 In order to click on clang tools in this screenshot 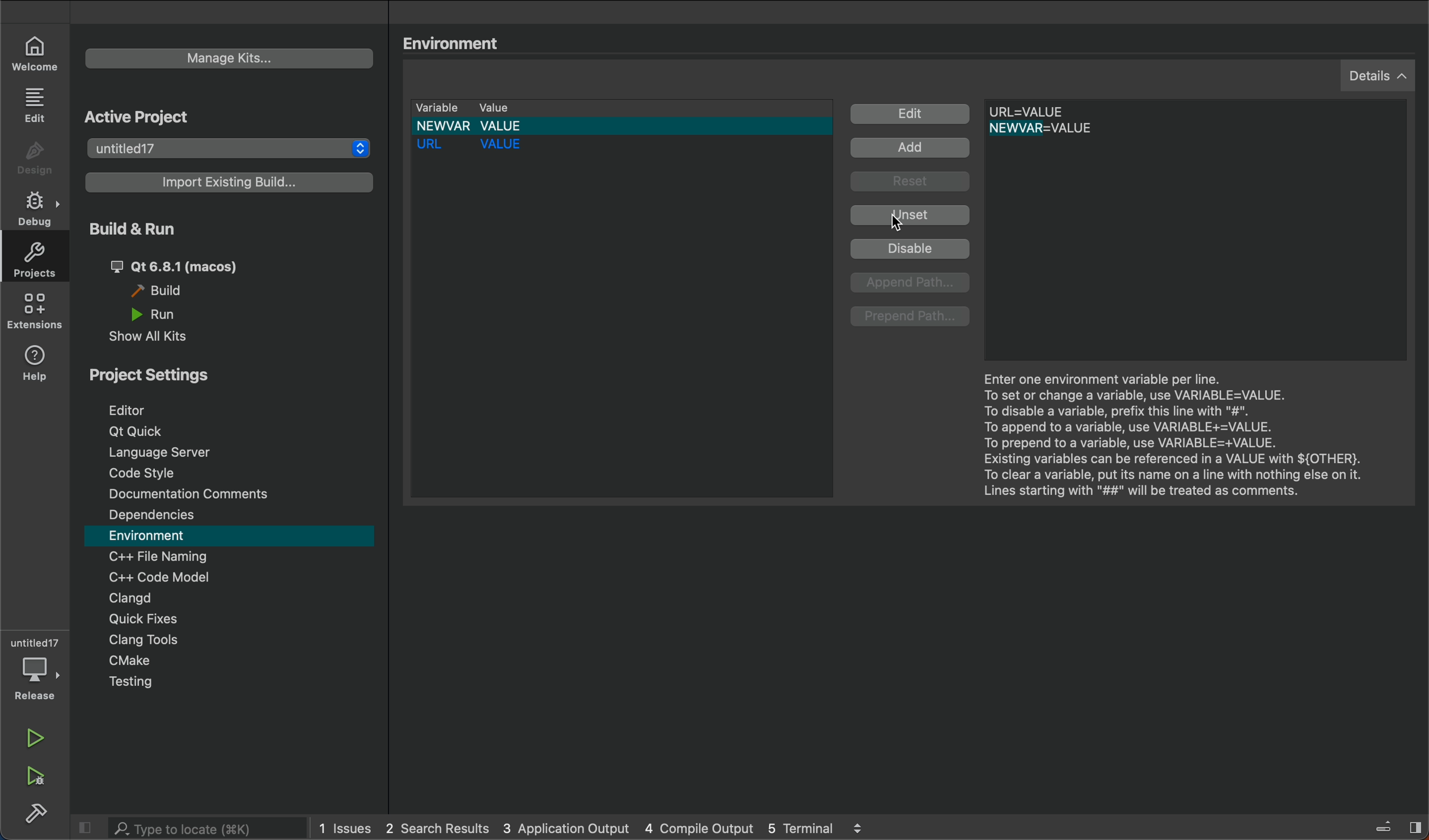, I will do `click(142, 642)`.